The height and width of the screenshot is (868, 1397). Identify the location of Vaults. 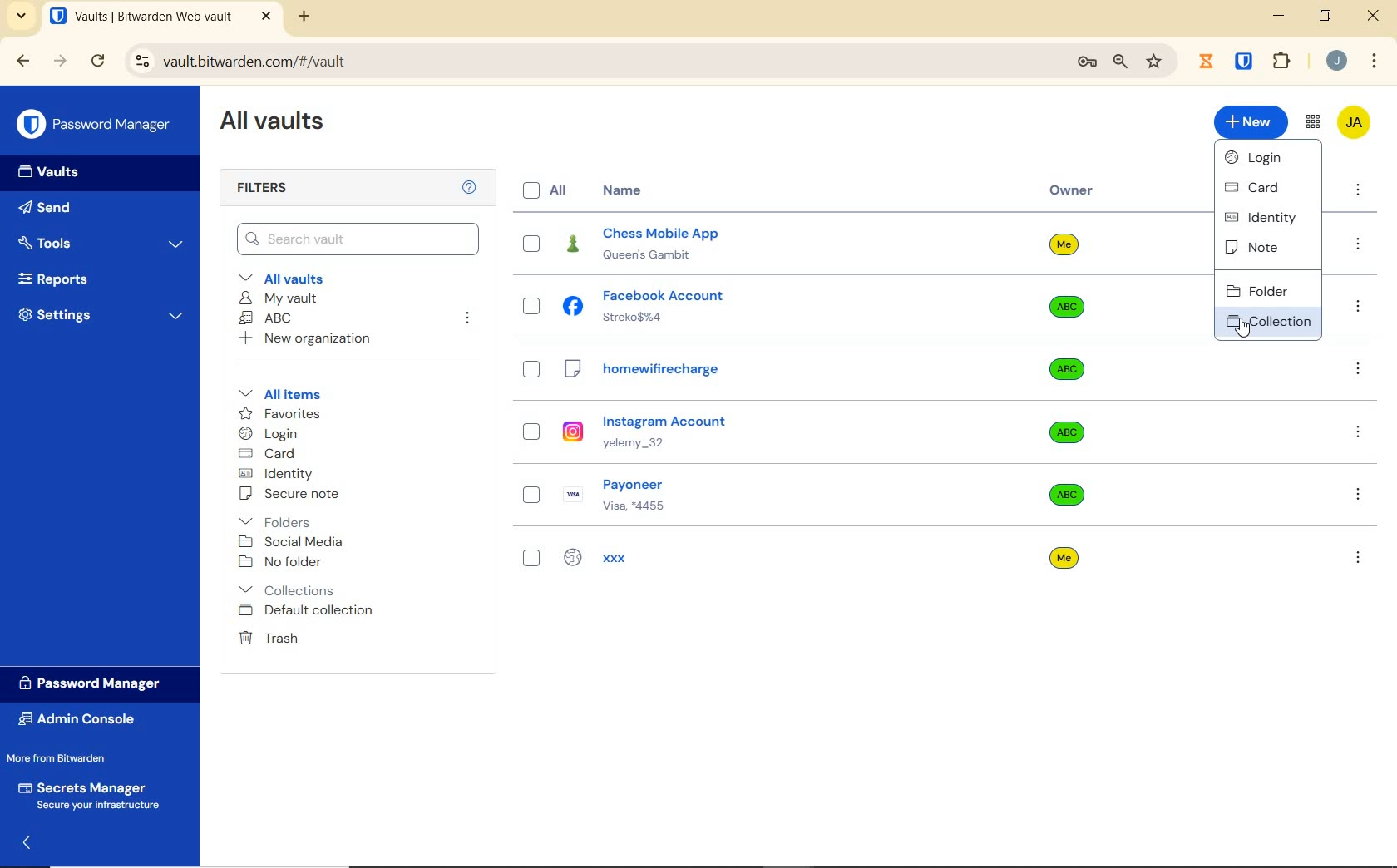
(51, 170).